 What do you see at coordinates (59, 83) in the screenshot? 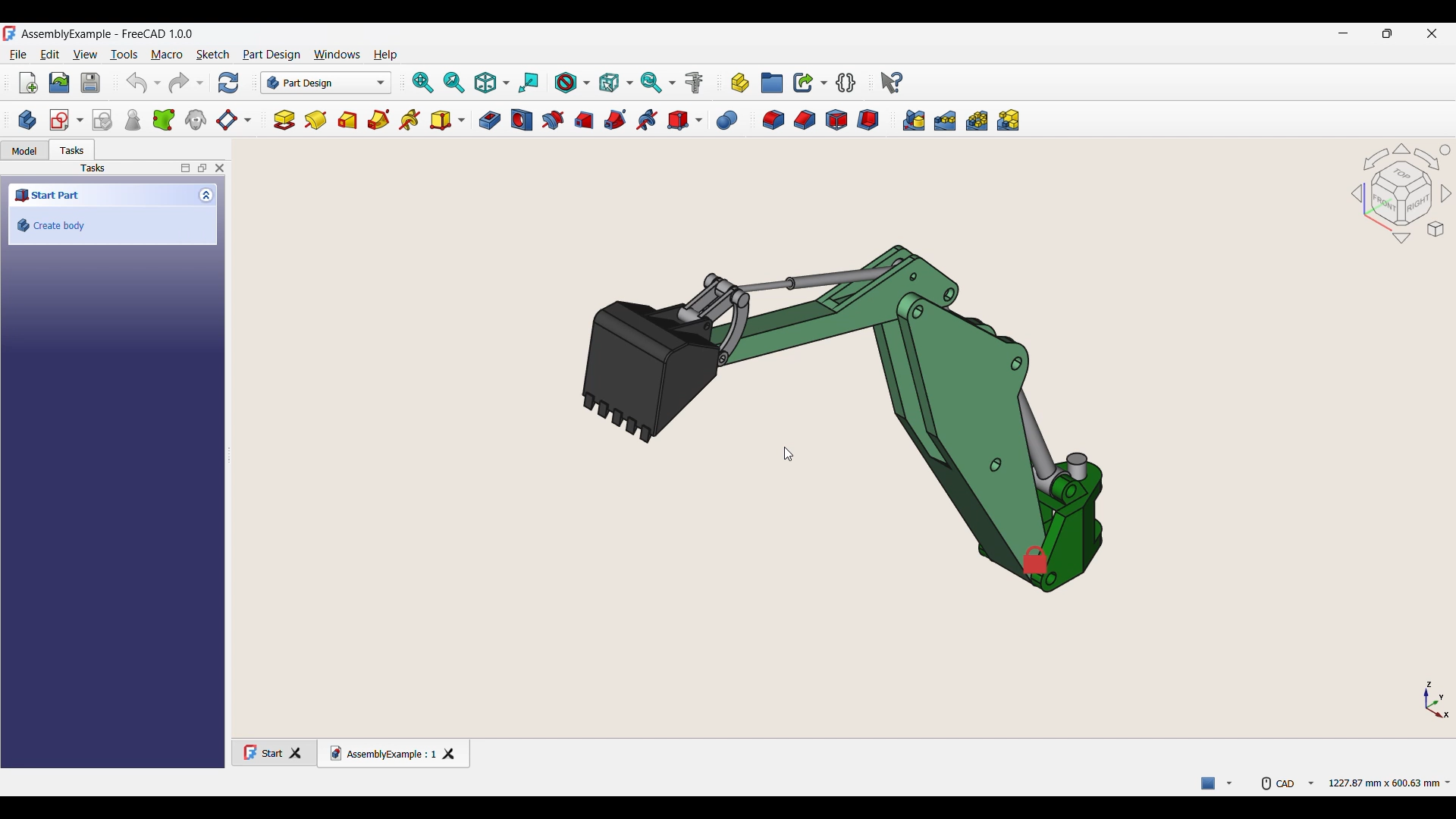
I see `Open` at bounding box center [59, 83].